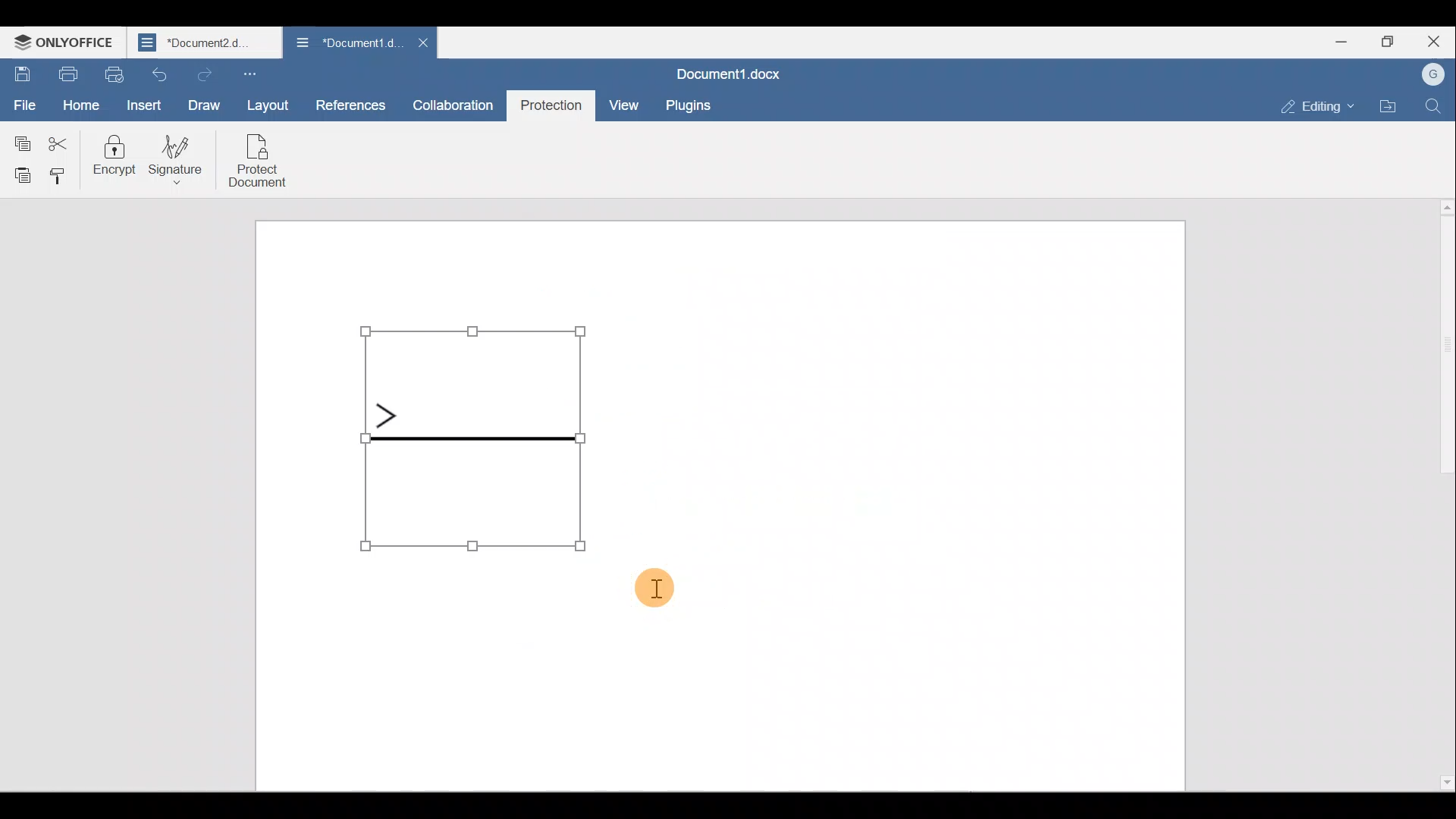 This screenshot has width=1456, height=819. What do you see at coordinates (17, 170) in the screenshot?
I see `Paste` at bounding box center [17, 170].